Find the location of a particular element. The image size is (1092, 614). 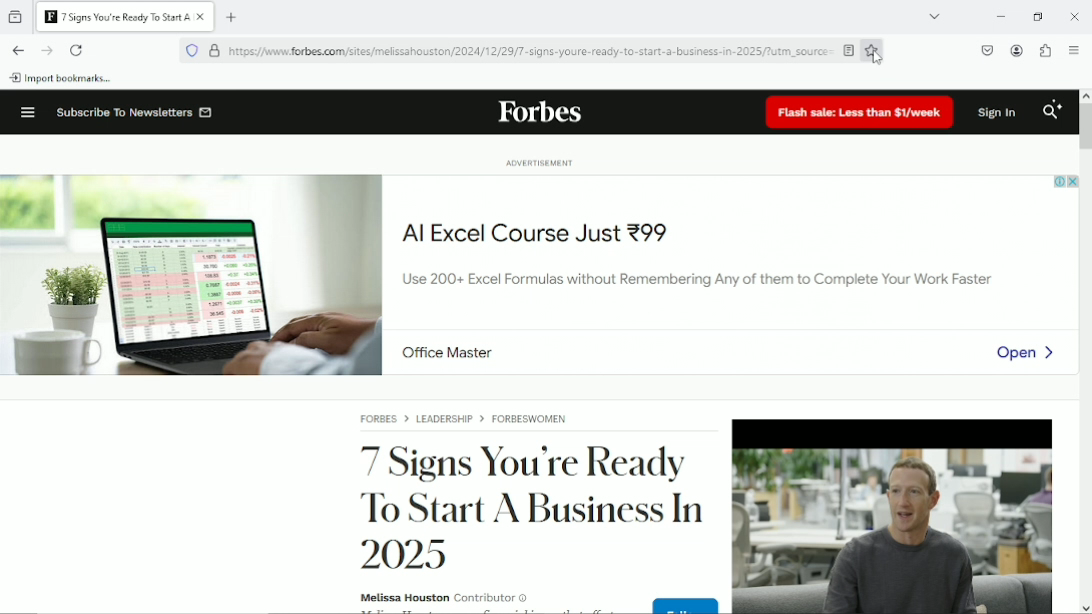

minimize is located at coordinates (1000, 16).